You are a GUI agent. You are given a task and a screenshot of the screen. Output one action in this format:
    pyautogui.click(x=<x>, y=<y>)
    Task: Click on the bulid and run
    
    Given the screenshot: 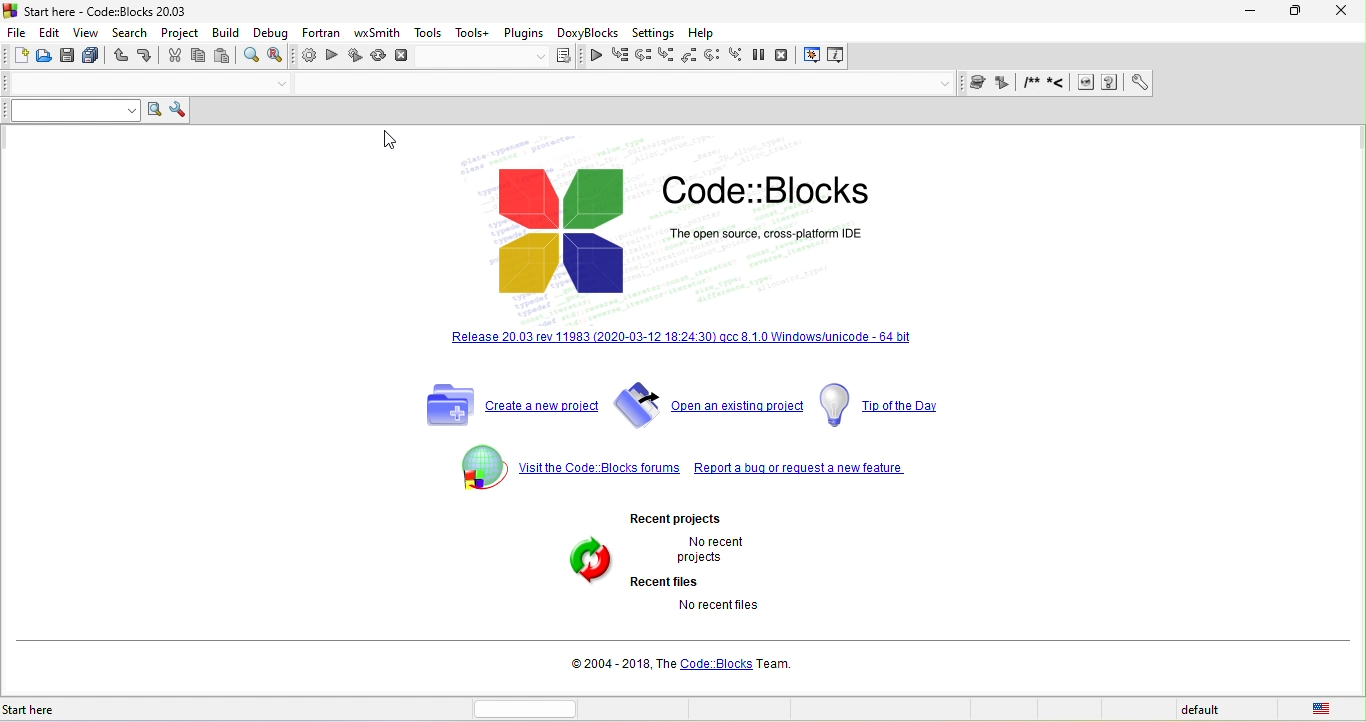 What is the action you would take?
    pyautogui.click(x=356, y=57)
    